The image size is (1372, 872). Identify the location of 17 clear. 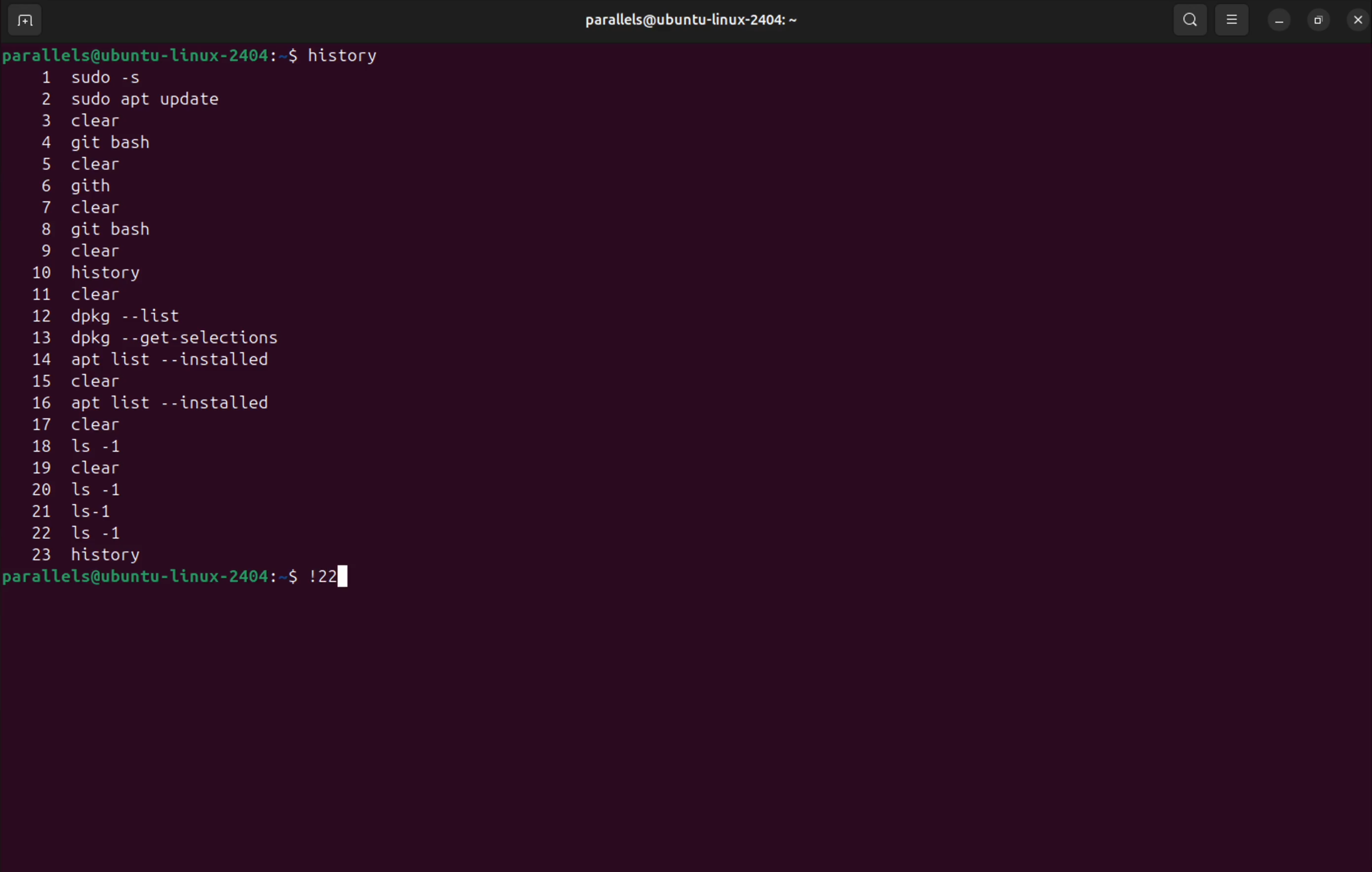
(89, 427).